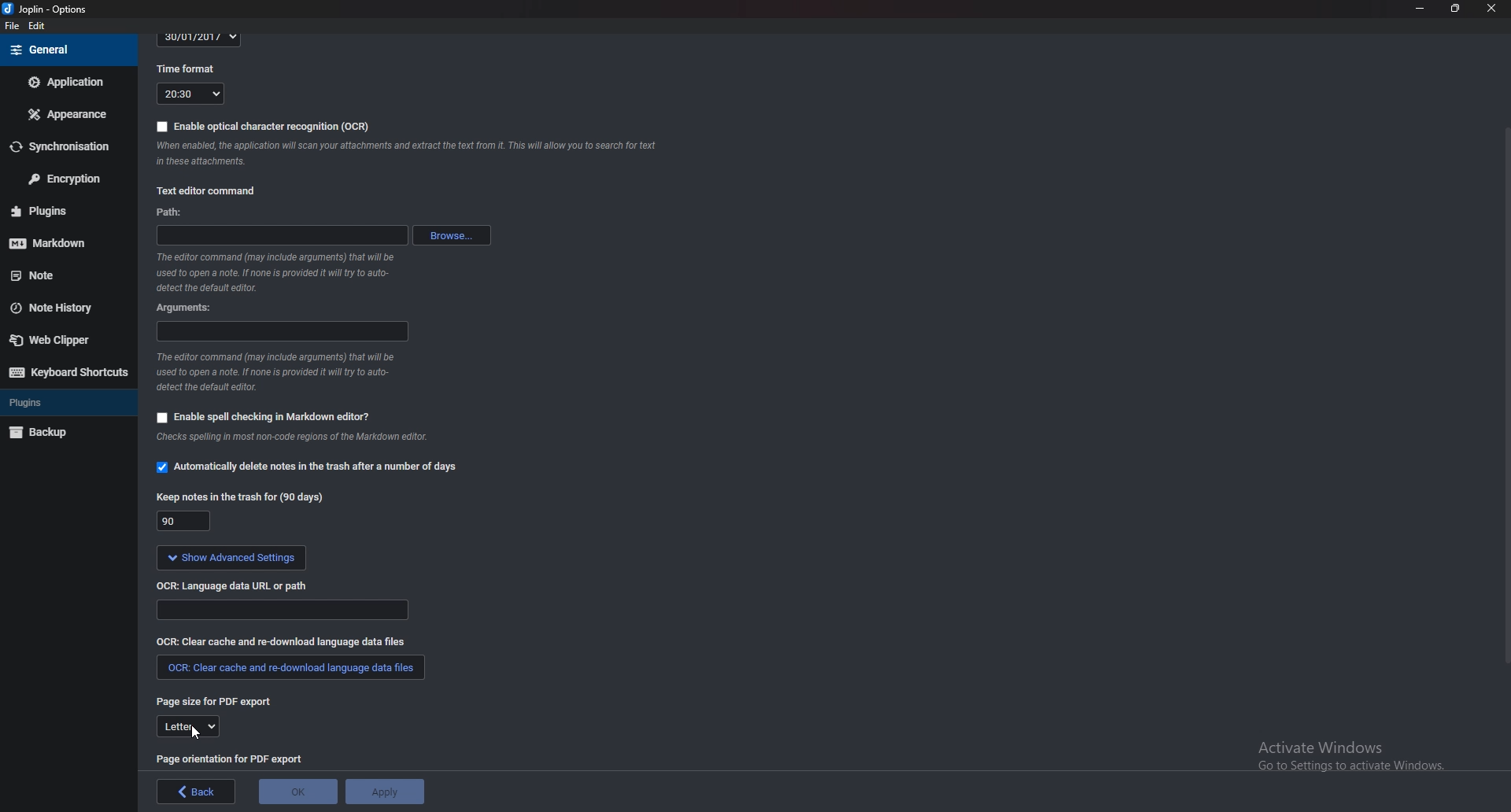  What do you see at coordinates (67, 81) in the screenshot?
I see `Application` at bounding box center [67, 81].